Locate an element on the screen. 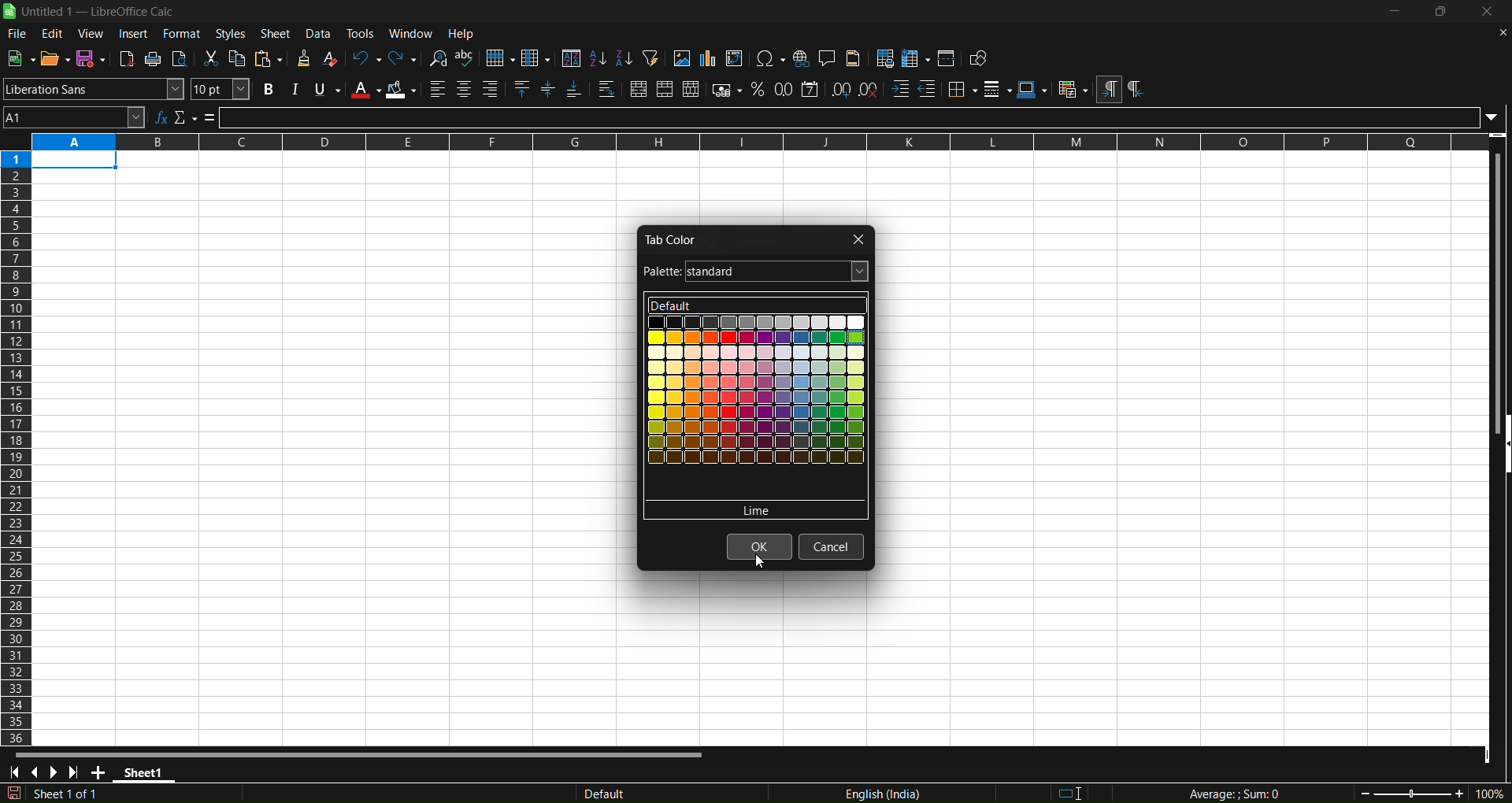 This screenshot has width=1512, height=803. clone formatting is located at coordinates (302, 59).